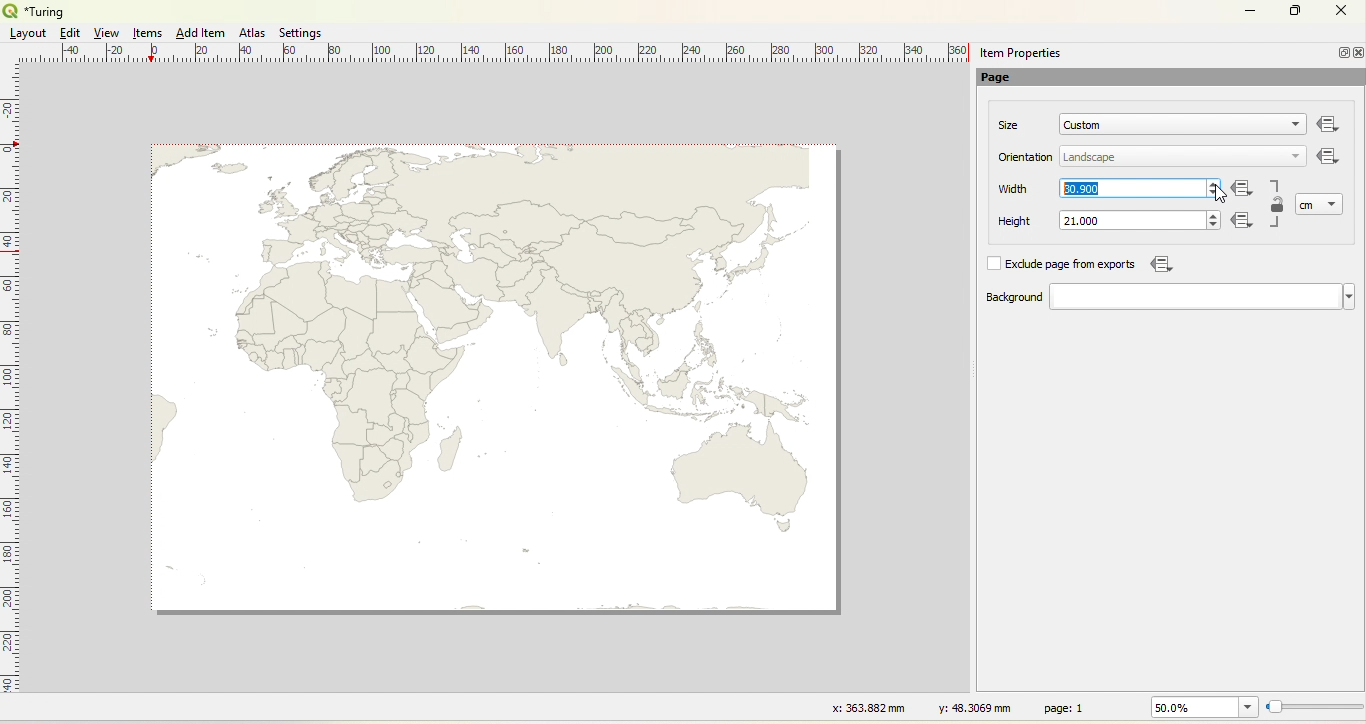 The height and width of the screenshot is (724, 1366). Describe the element at coordinates (1083, 125) in the screenshot. I see `Custom` at that location.